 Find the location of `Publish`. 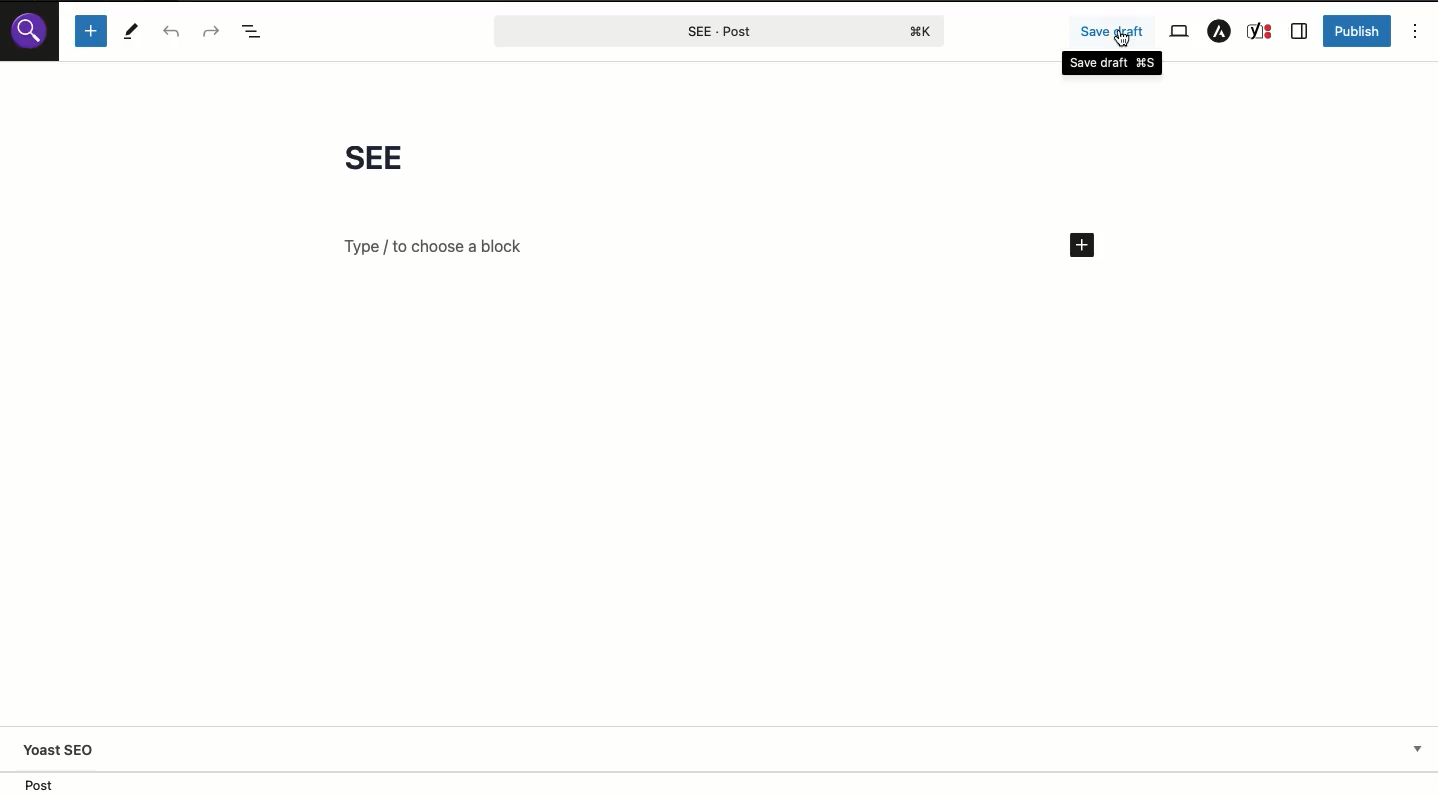

Publish is located at coordinates (1357, 31).